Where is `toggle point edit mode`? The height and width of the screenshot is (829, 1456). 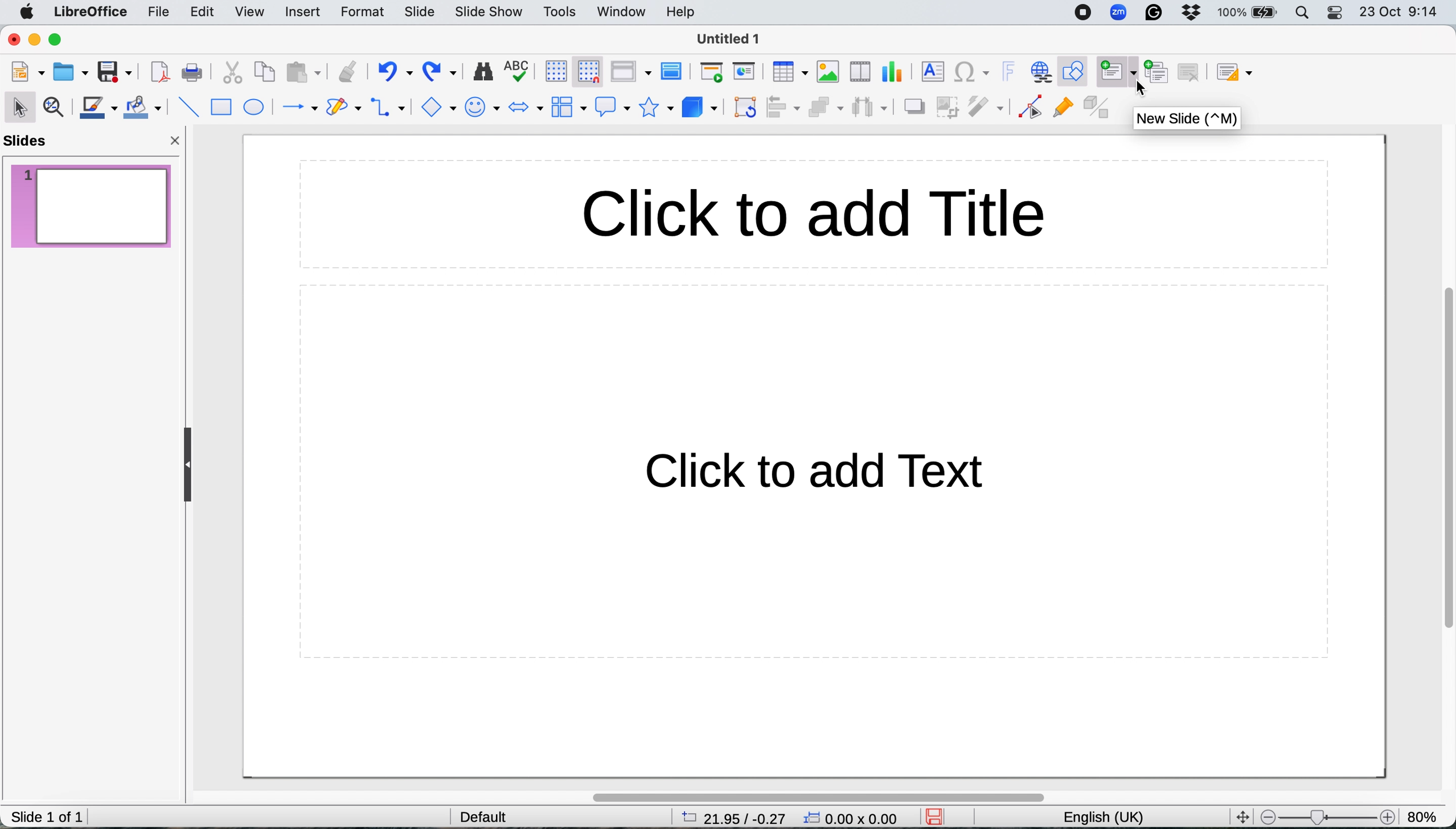
toggle point edit mode is located at coordinates (1031, 108).